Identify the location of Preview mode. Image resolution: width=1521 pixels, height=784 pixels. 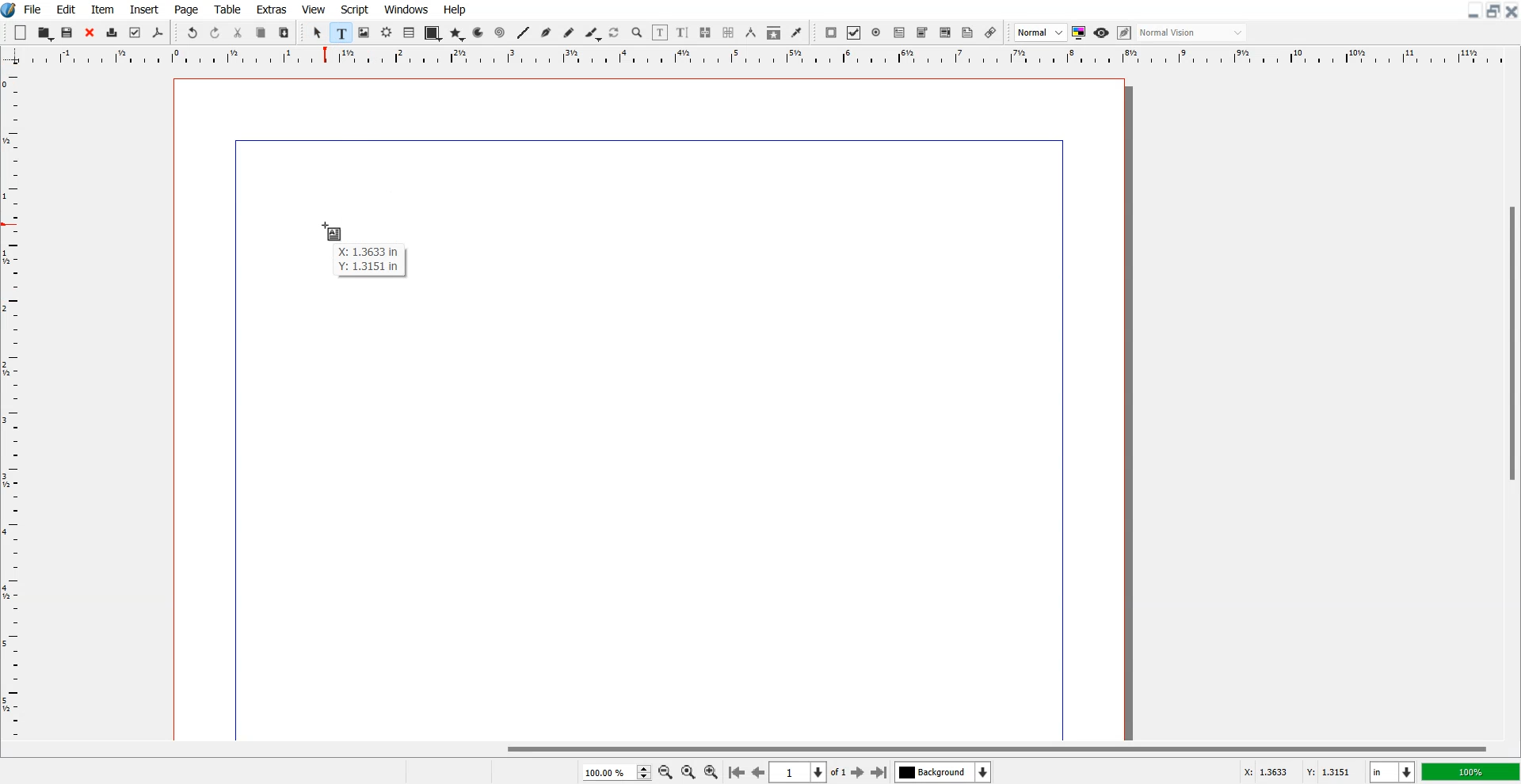
(1102, 32).